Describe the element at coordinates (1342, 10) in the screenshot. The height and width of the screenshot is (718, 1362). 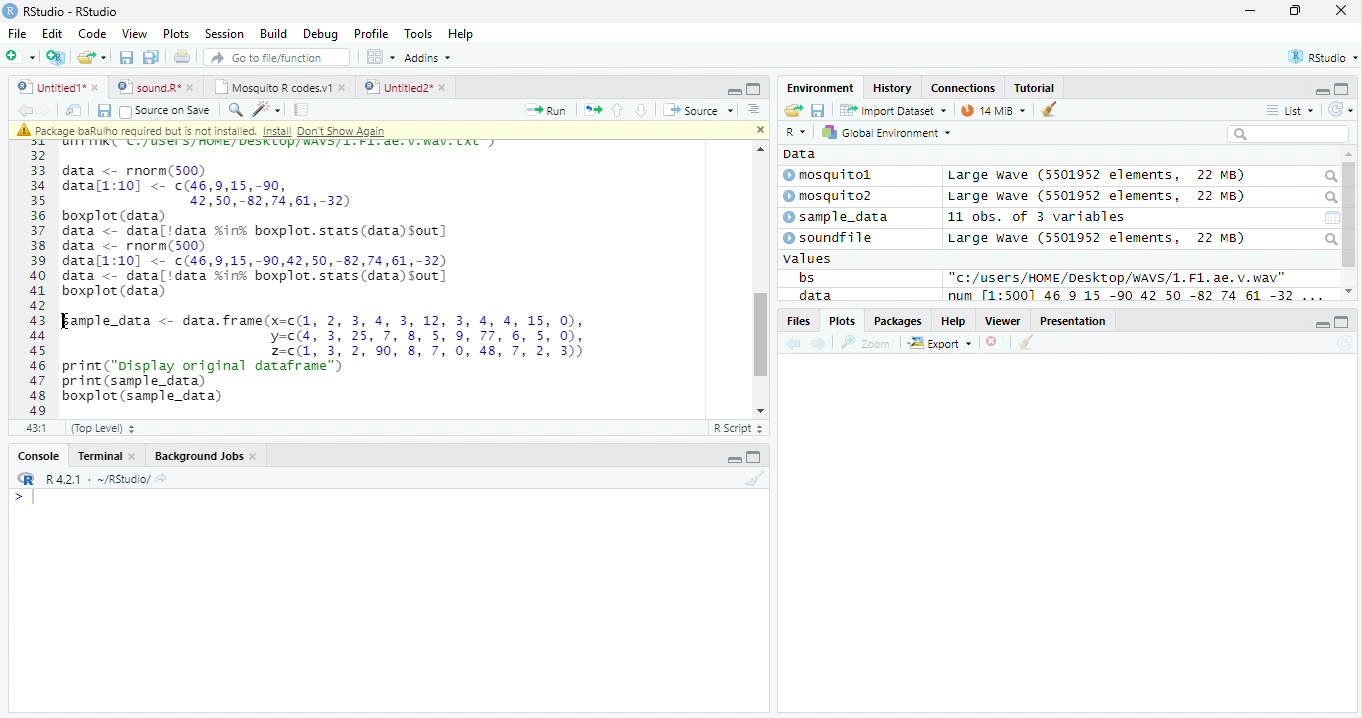
I see `closse` at that location.